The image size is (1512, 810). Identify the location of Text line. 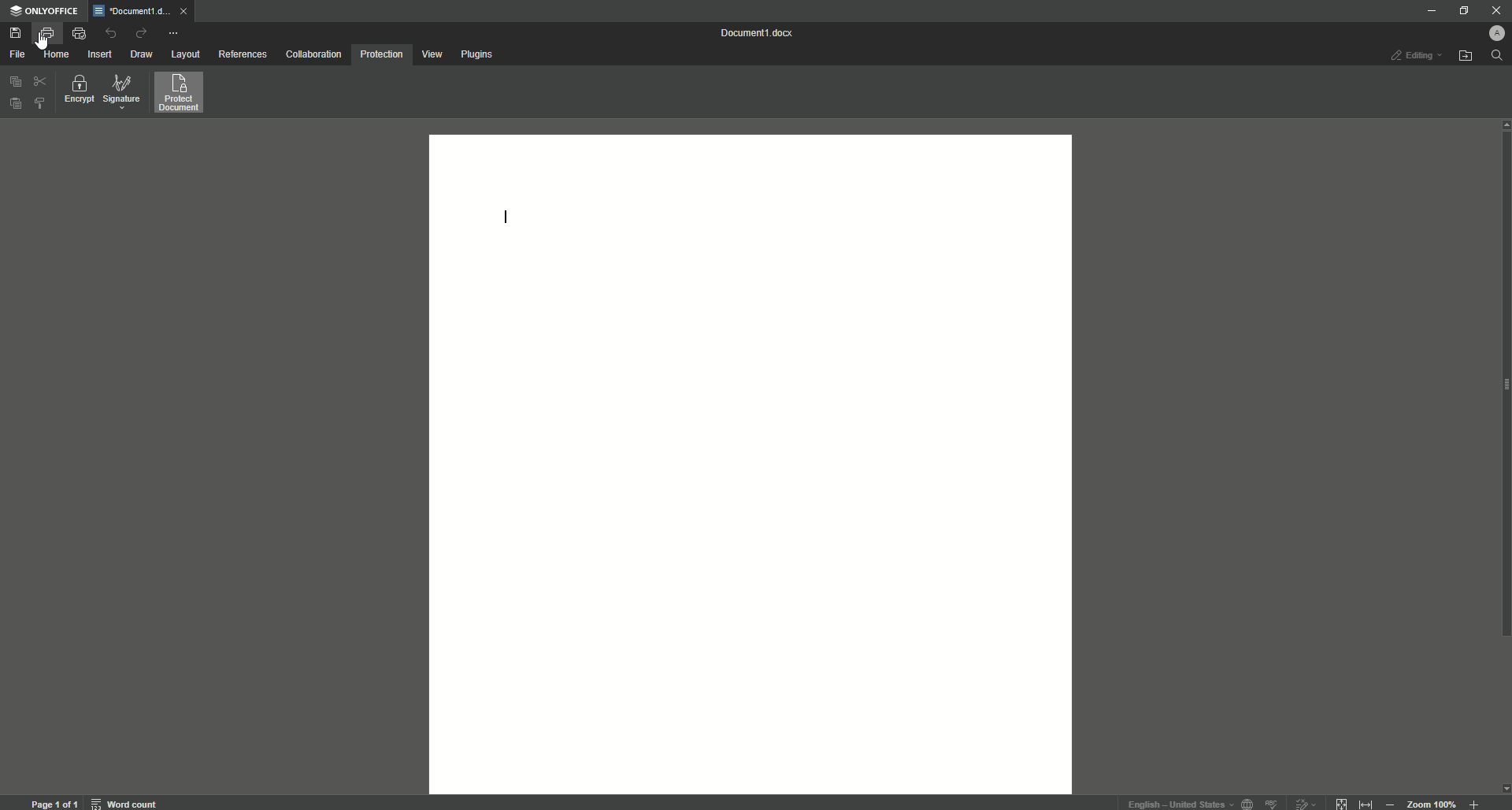
(502, 216).